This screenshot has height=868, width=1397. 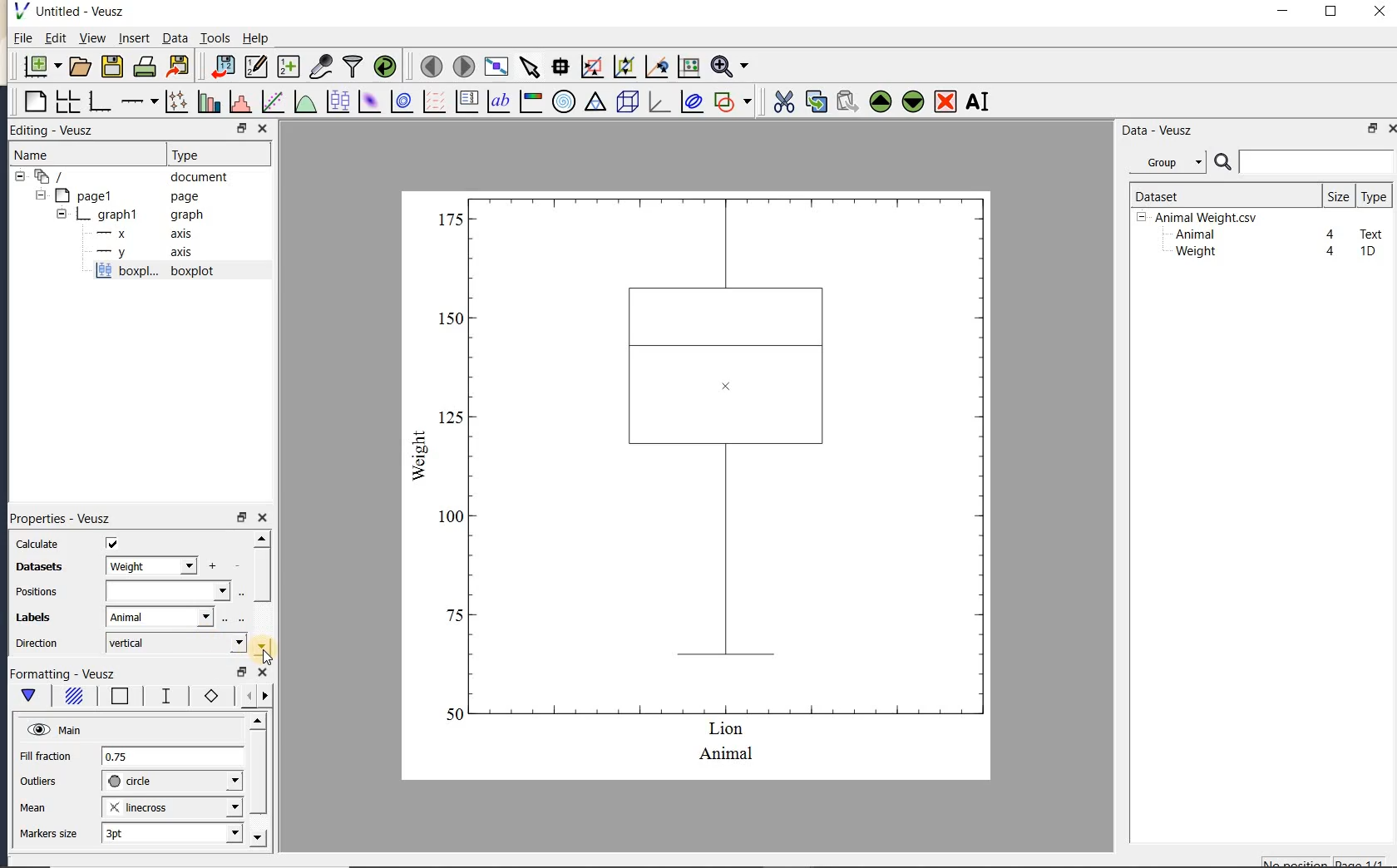 I want to click on plot a vector field, so click(x=432, y=102).